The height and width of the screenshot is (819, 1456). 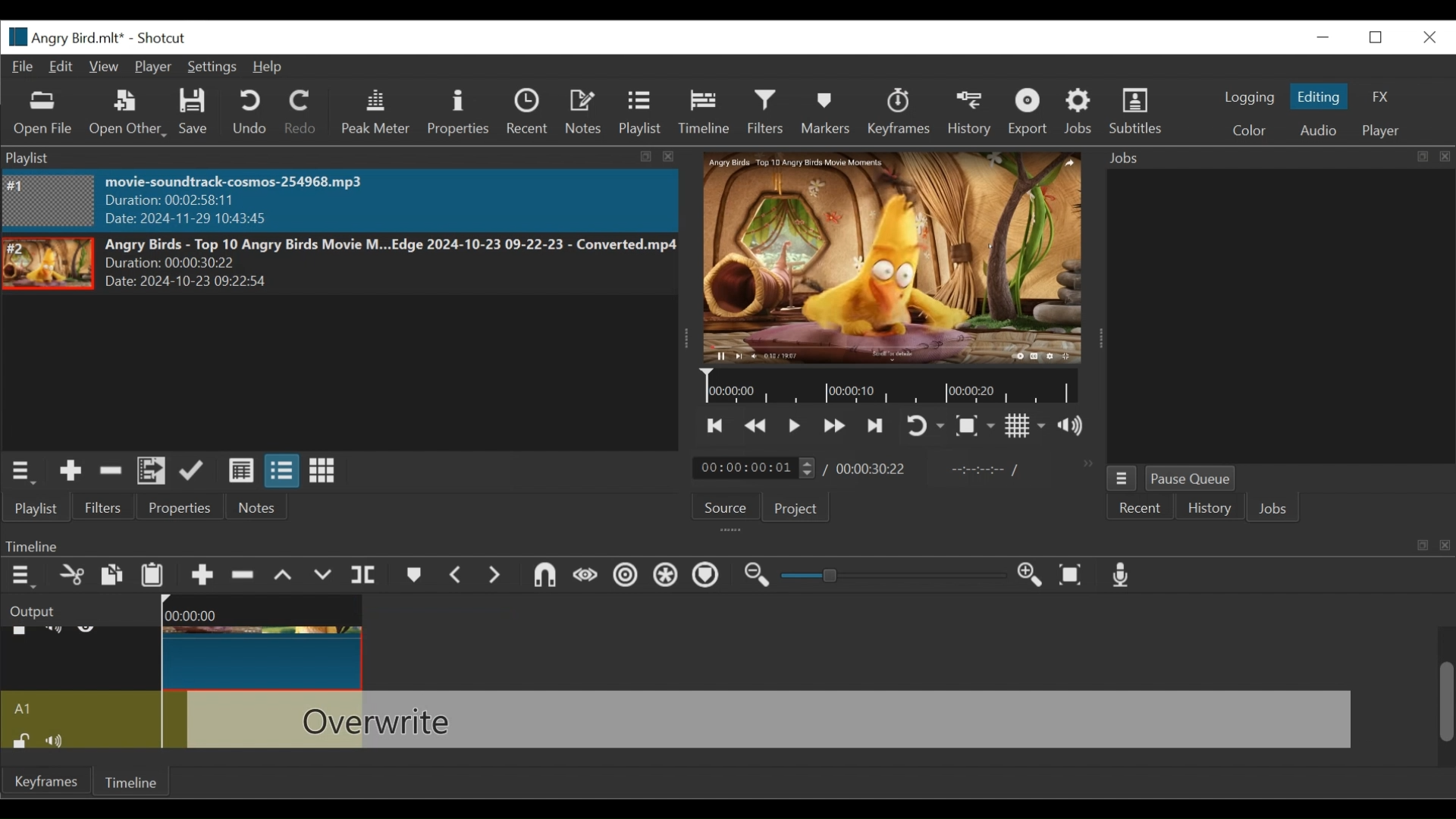 I want to click on Next Marker, so click(x=492, y=576).